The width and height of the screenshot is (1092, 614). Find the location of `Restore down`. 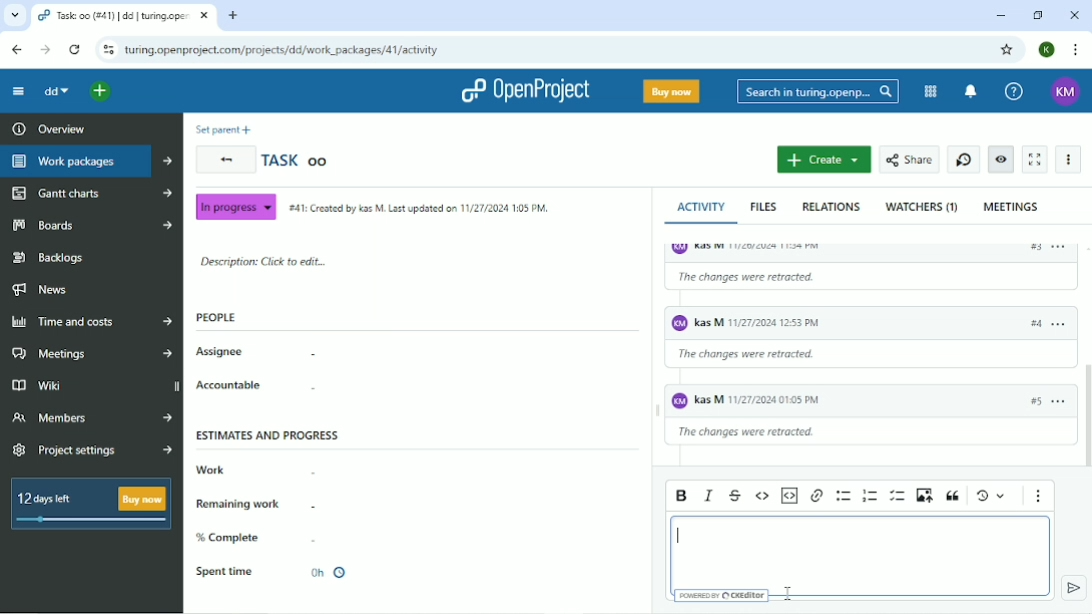

Restore down is located at coordinates (1039, 16).